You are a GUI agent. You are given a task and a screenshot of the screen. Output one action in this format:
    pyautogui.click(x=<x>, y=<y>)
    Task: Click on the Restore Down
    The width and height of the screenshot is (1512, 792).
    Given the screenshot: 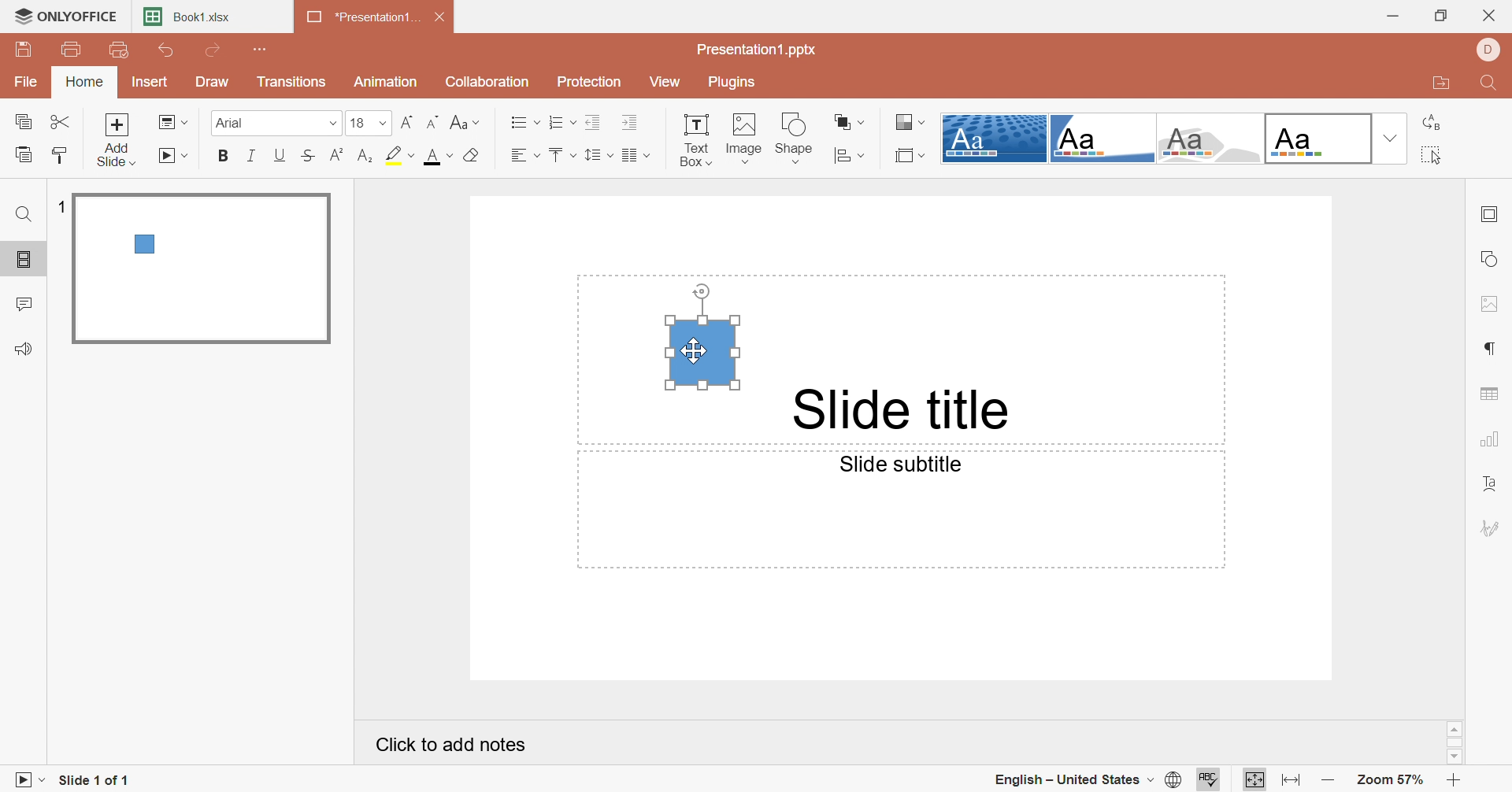 What is the action you would take?
    pyautogui.click(x=1445, y=16)
    